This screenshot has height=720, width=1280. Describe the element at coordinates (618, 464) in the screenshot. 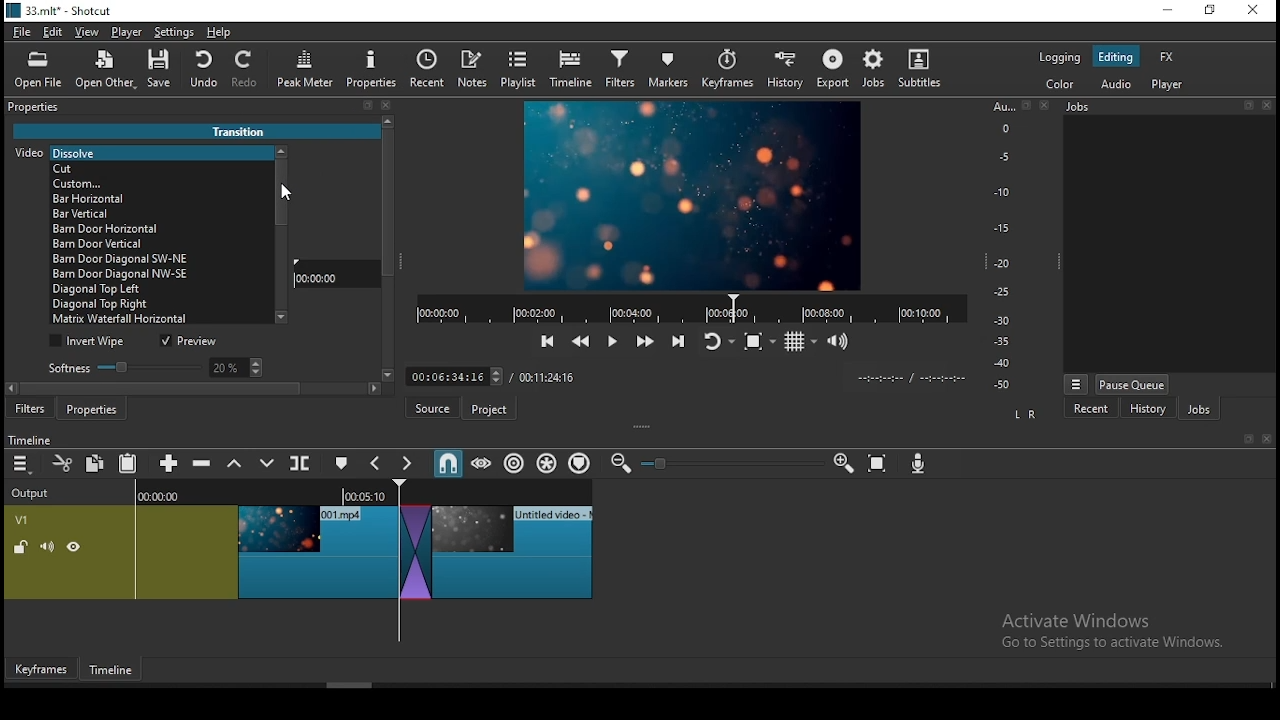

I see `zoom timeline out` at that location.